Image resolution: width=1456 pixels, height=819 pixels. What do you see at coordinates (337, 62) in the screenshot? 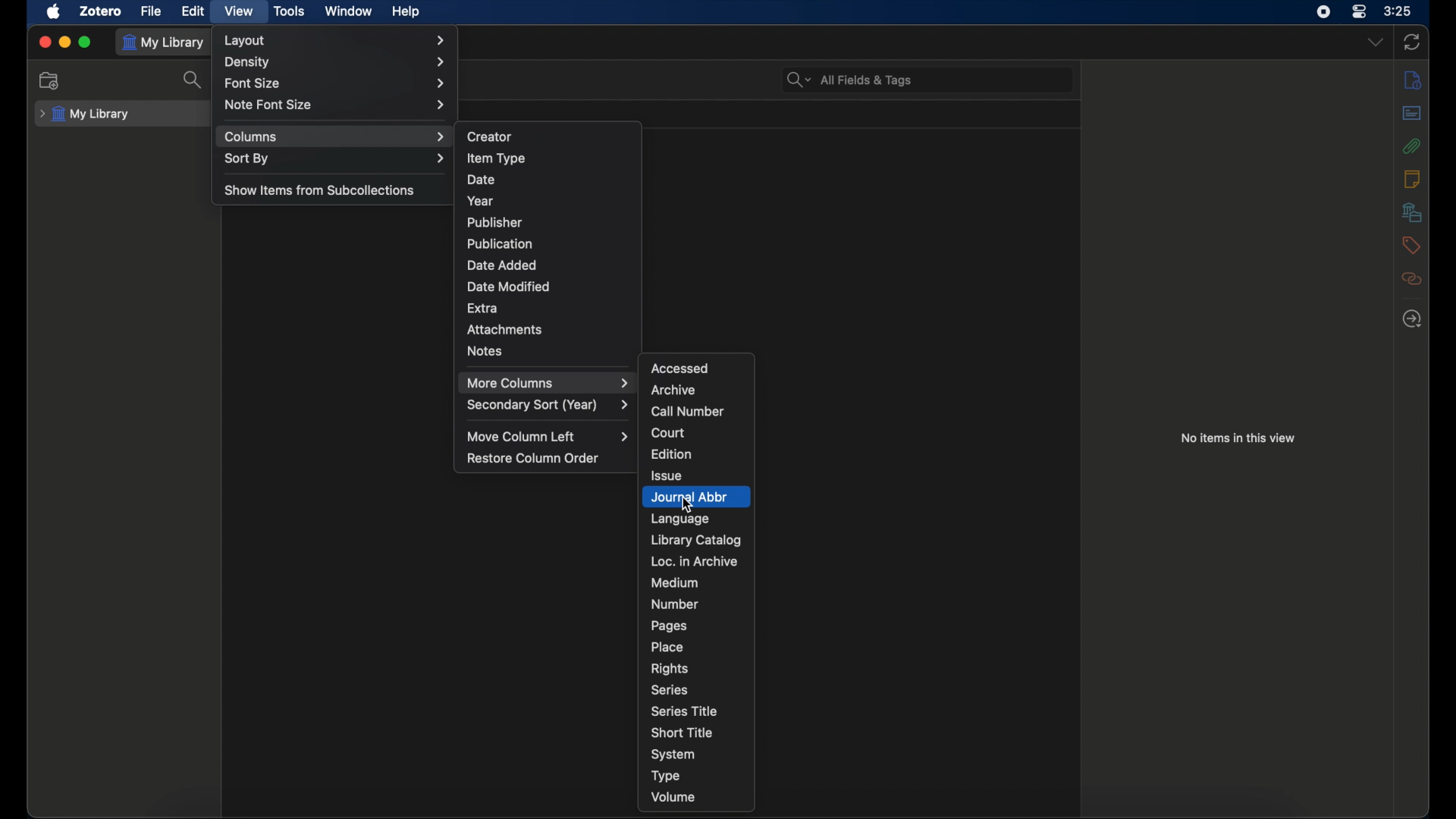
I see `density` at bounding box center [337, 62].